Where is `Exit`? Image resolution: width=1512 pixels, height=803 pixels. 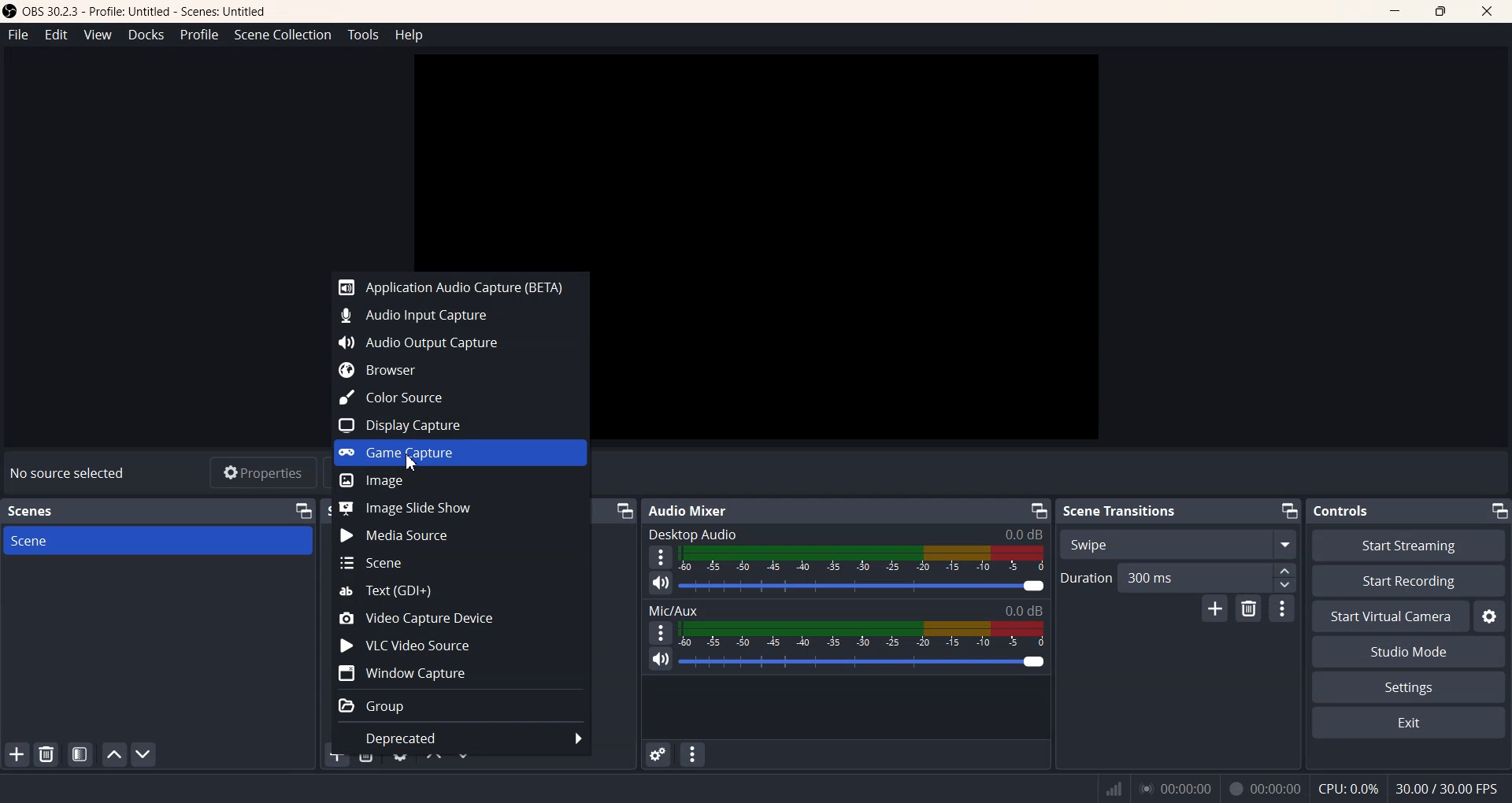 Exit is located at coordinates (1410, 724).